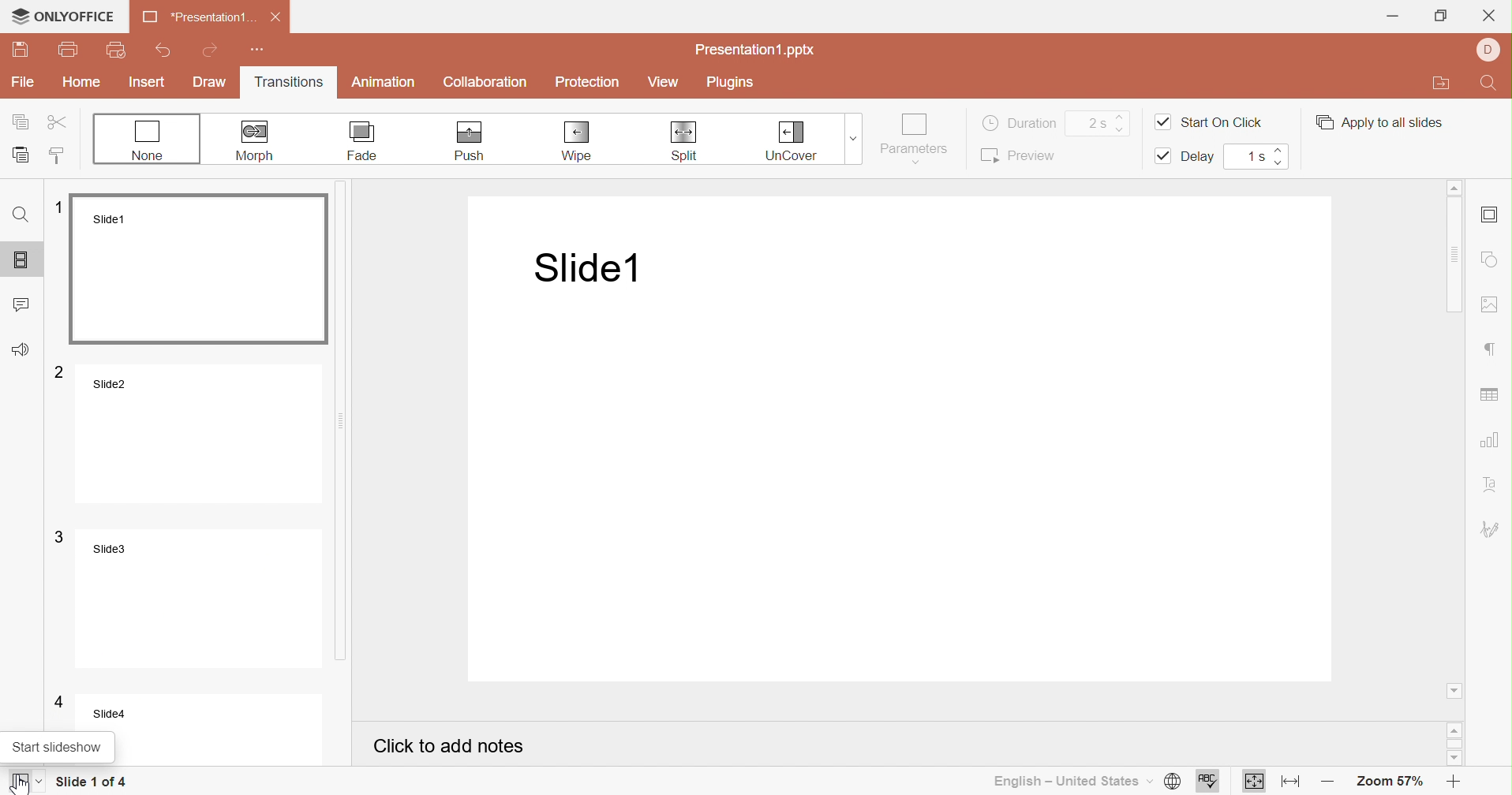  What do you see at coordinates (1171, 782) in the screenshot?
I see `Set document language` at bounding box center [1171, 782].